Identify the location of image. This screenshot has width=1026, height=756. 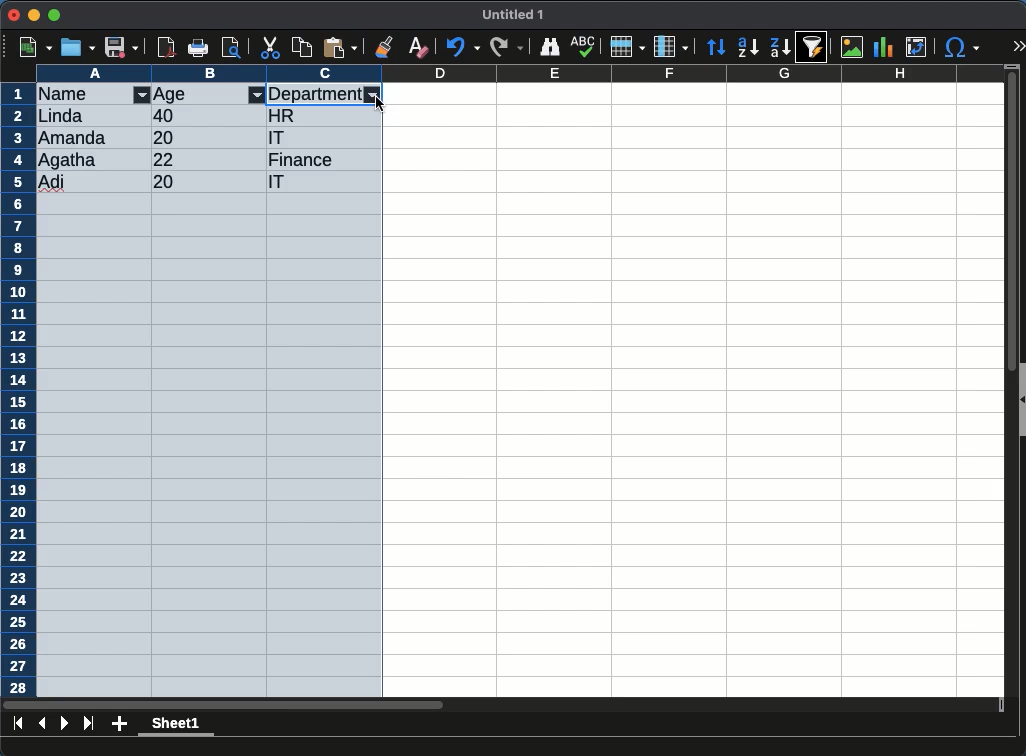
(851, 49).